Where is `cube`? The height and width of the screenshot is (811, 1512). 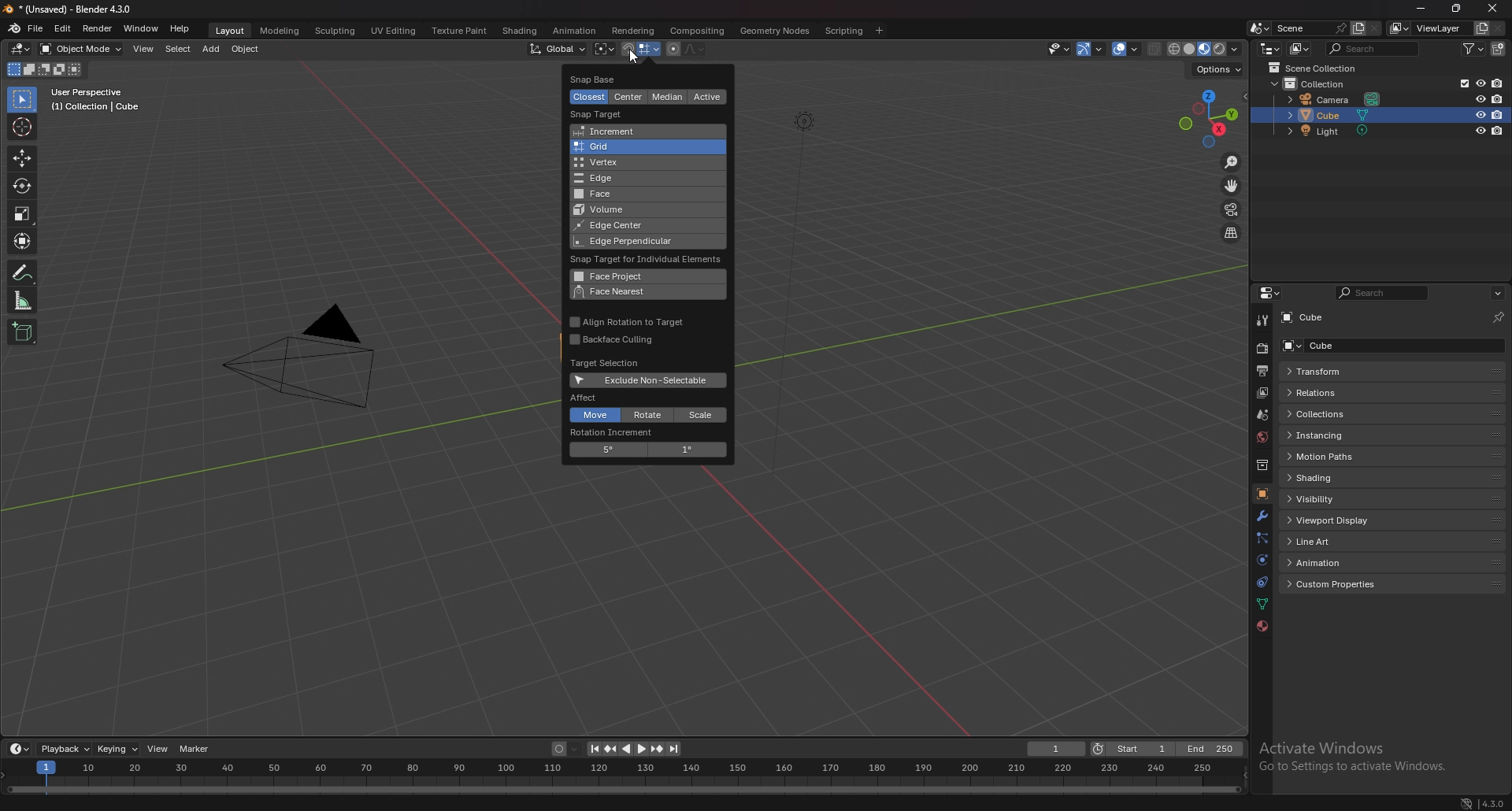
cube is located at coordinates (1315, 318).